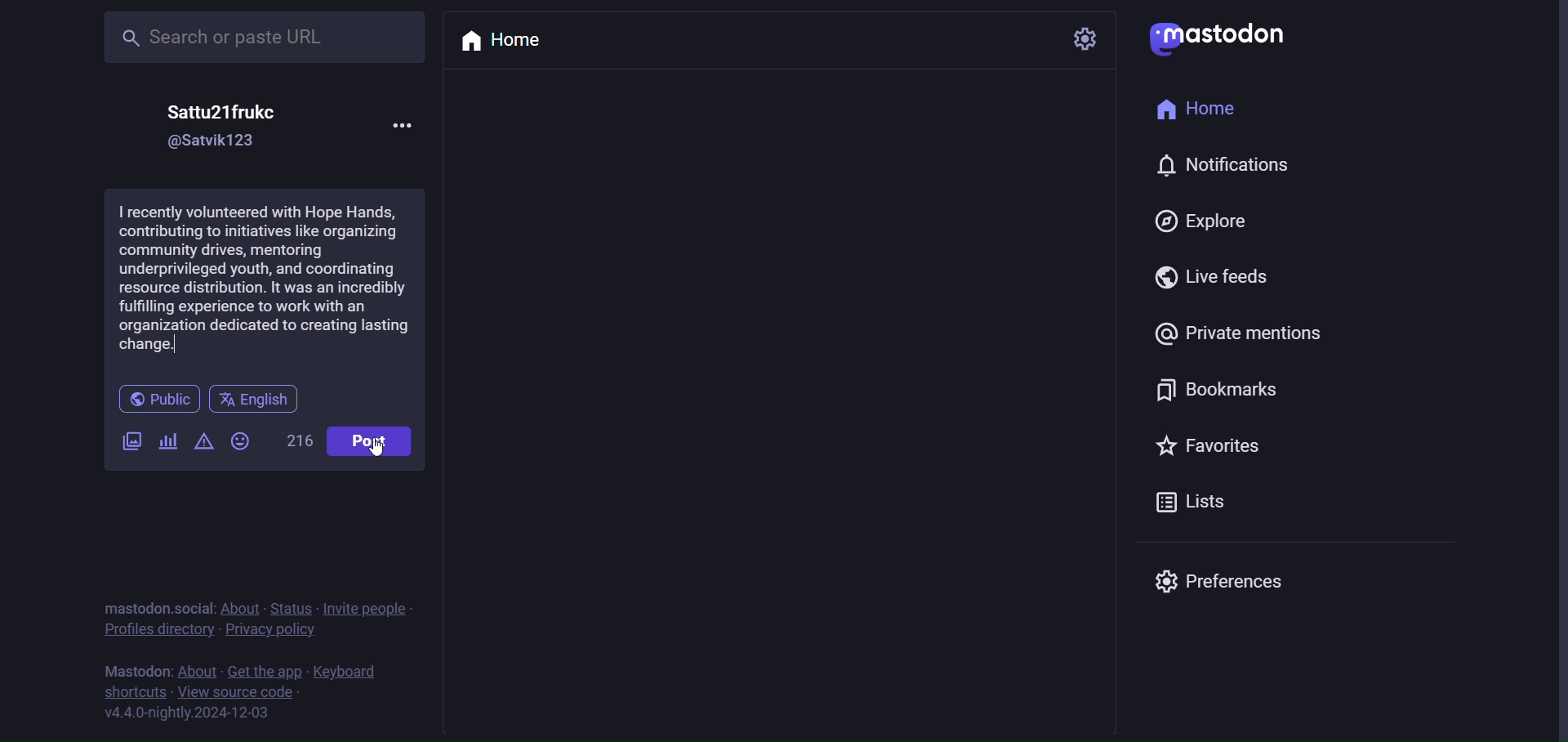  What do you see at coordinates (155, 606) in the screenshot?
I see `mastodon social` at bounding box center [155, 606].